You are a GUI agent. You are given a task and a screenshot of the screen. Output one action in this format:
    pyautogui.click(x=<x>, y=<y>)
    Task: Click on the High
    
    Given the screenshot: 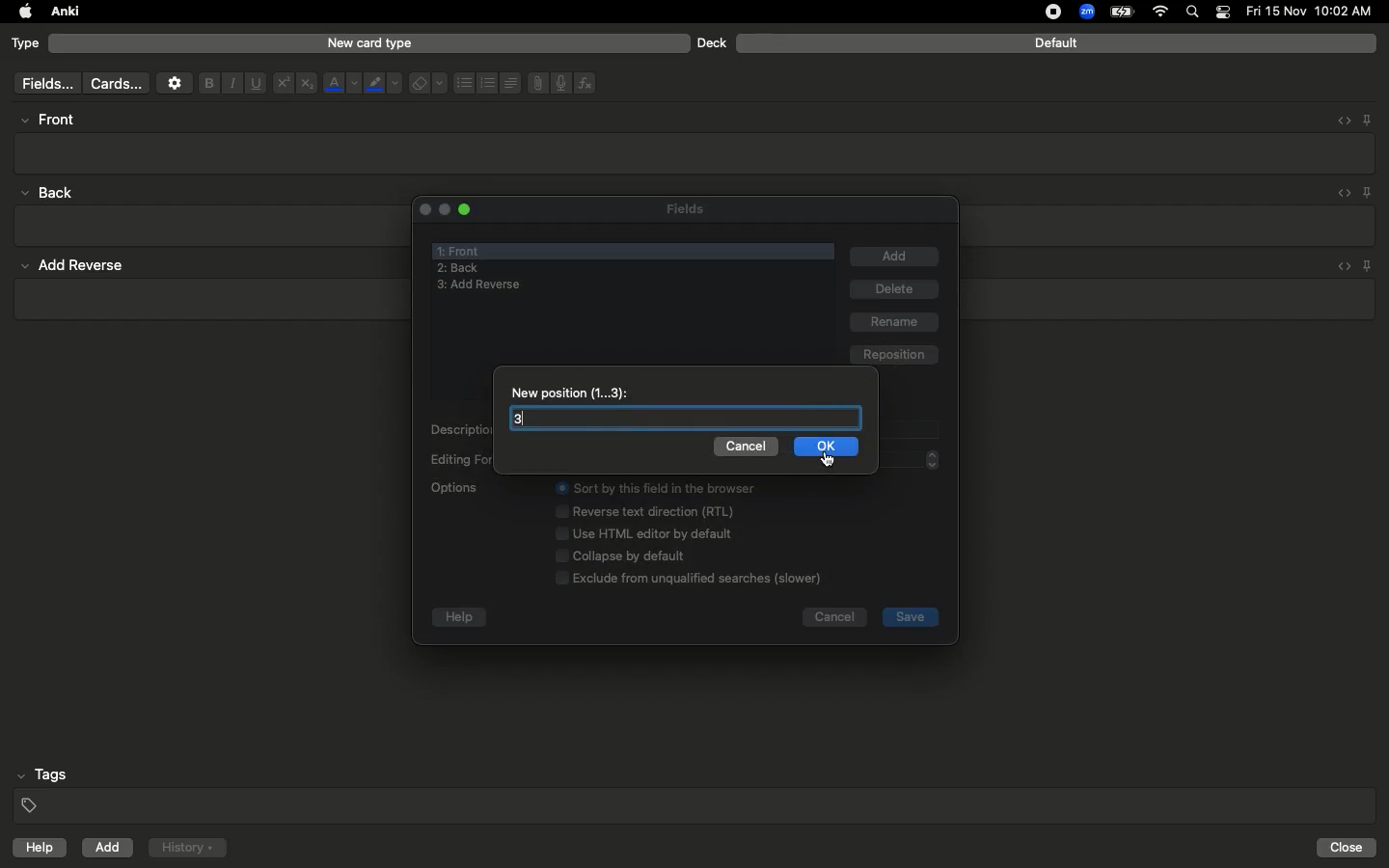 What is the action you would take?
    pyautogui.click(x=54, y=120)
    